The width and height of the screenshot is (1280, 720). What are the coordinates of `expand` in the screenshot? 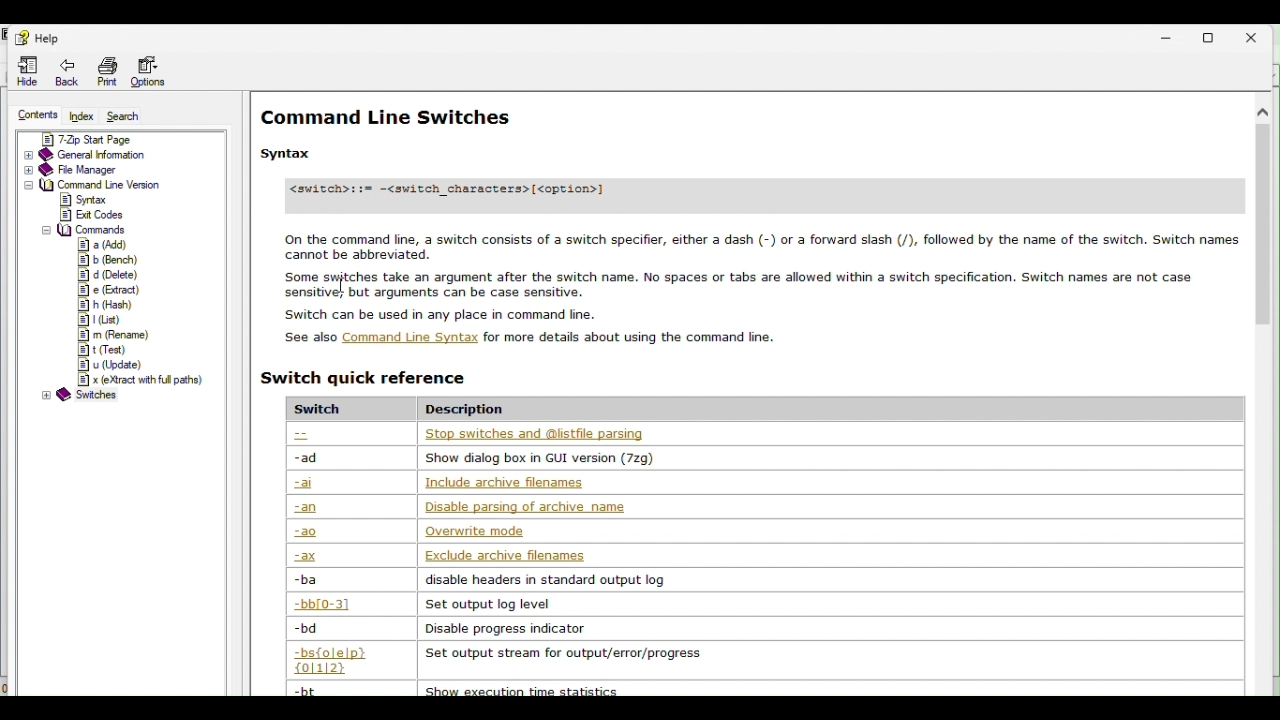 It's located at (28, 171).